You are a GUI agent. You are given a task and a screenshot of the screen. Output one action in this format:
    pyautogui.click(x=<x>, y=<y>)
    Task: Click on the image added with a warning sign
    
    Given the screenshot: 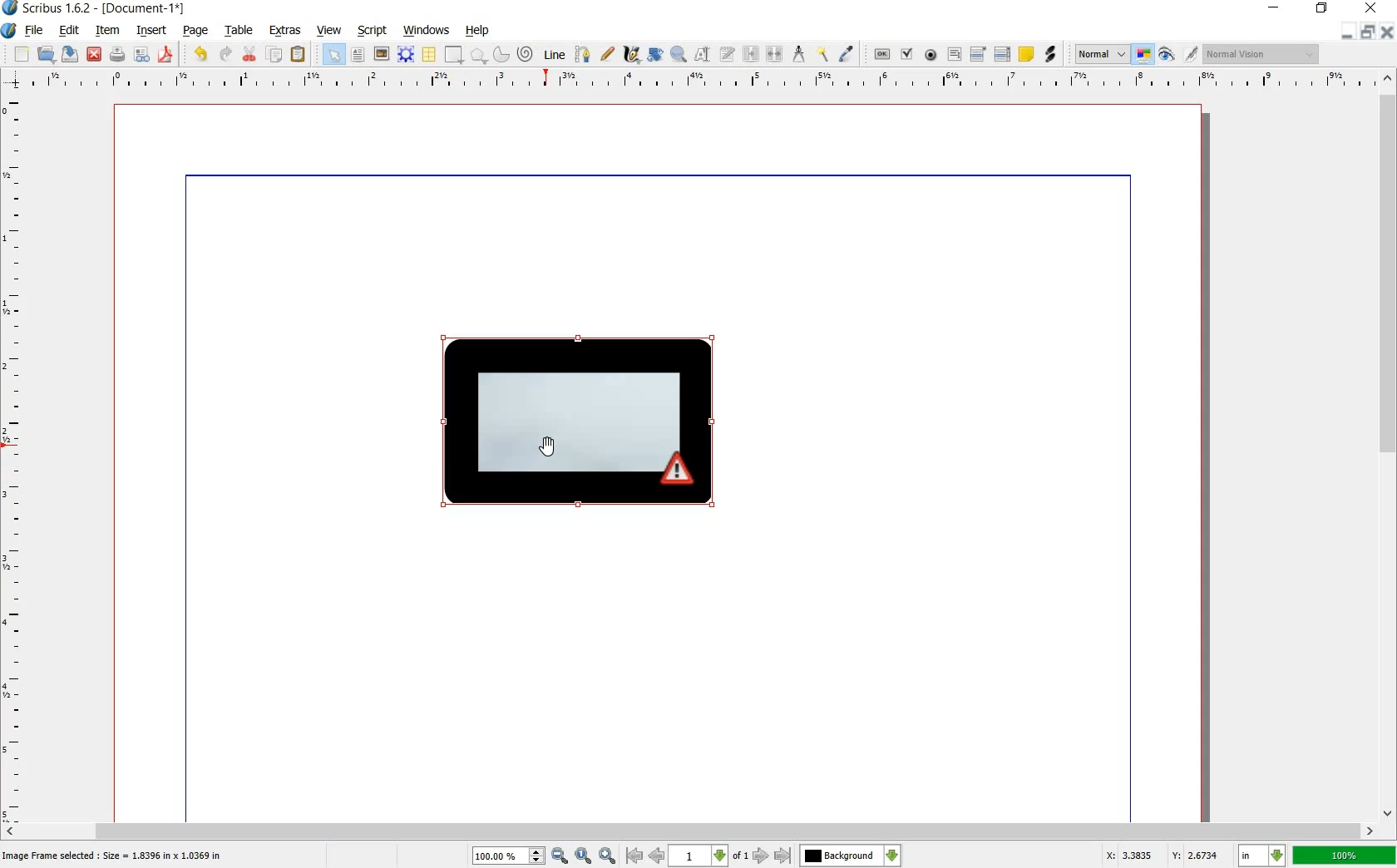 What is the action you would take?
    pyautogui.click(x=583, y=425)
    